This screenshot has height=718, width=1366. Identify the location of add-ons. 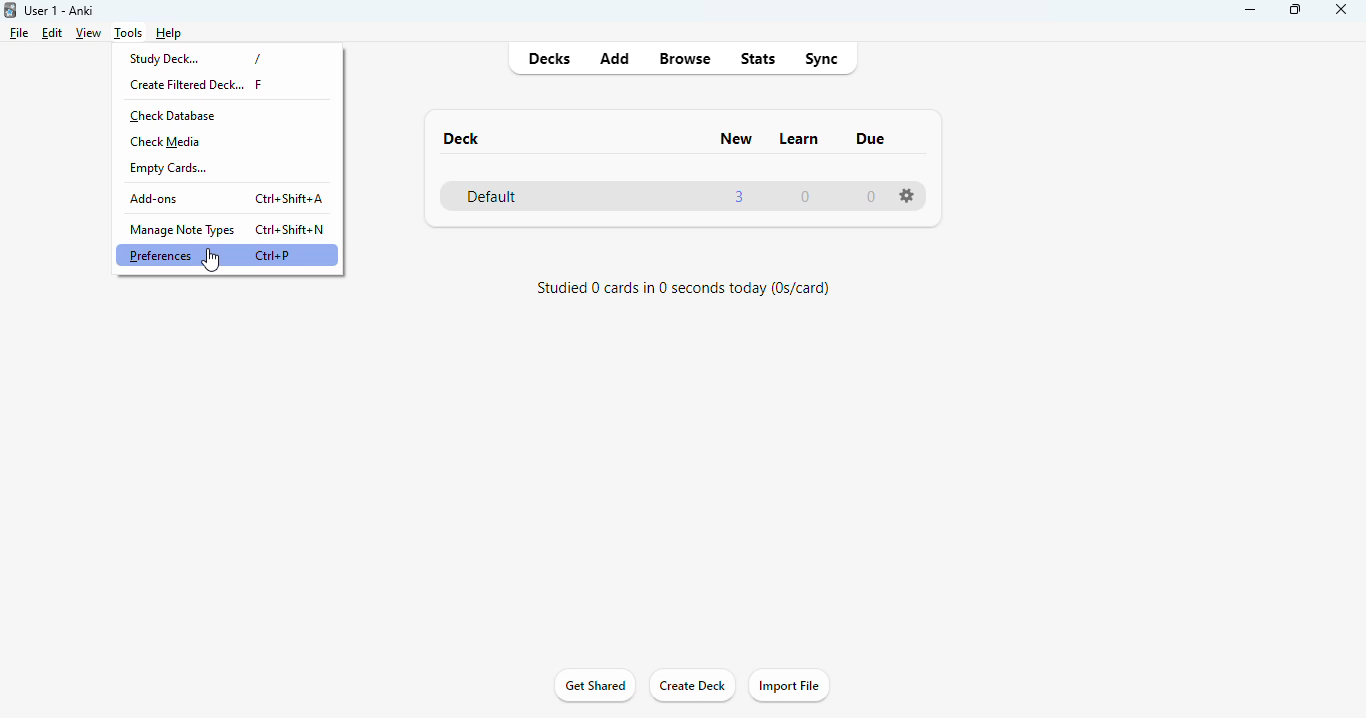
(155, 198).